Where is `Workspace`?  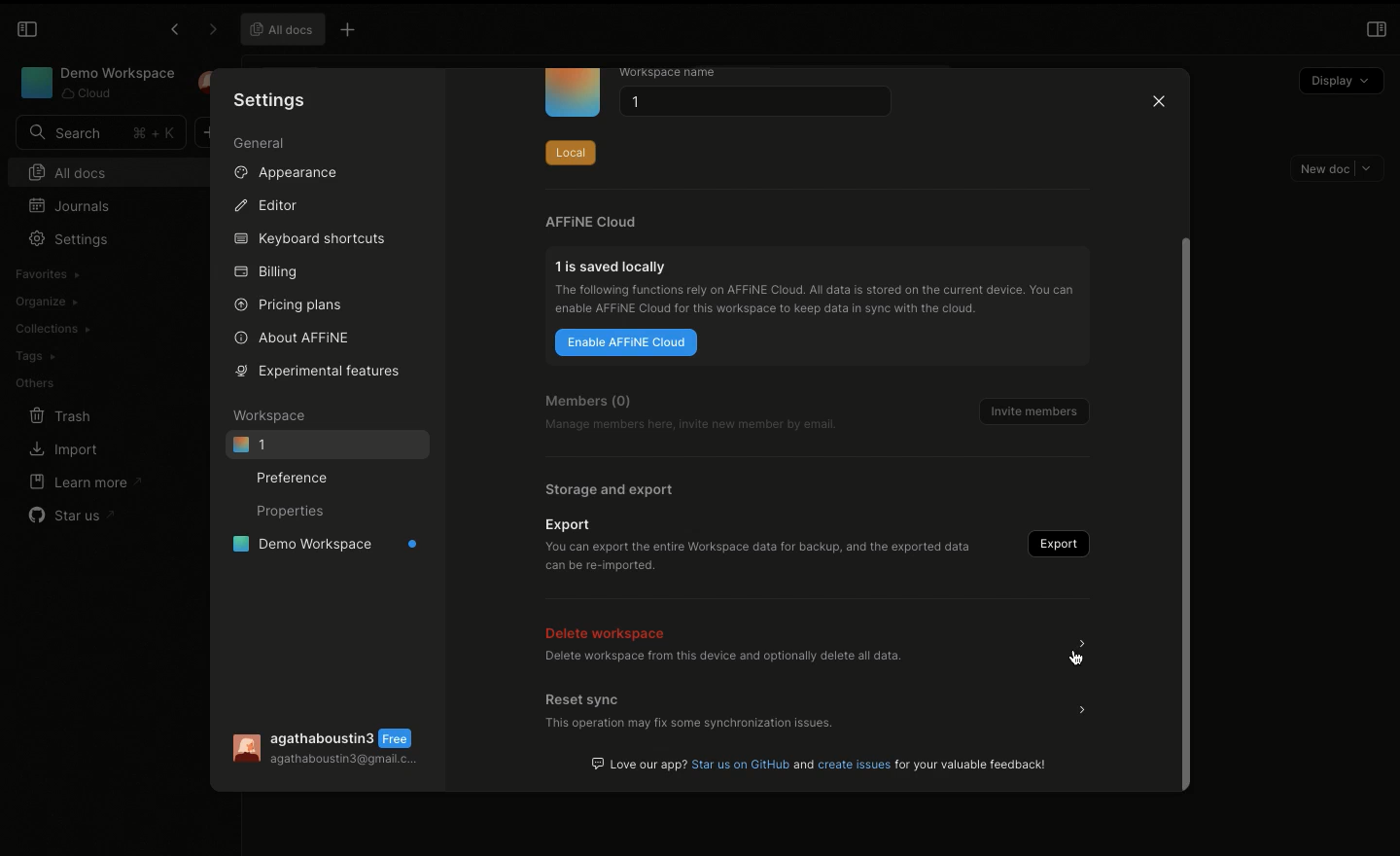 Workspace is located at coordinates (95, 83).